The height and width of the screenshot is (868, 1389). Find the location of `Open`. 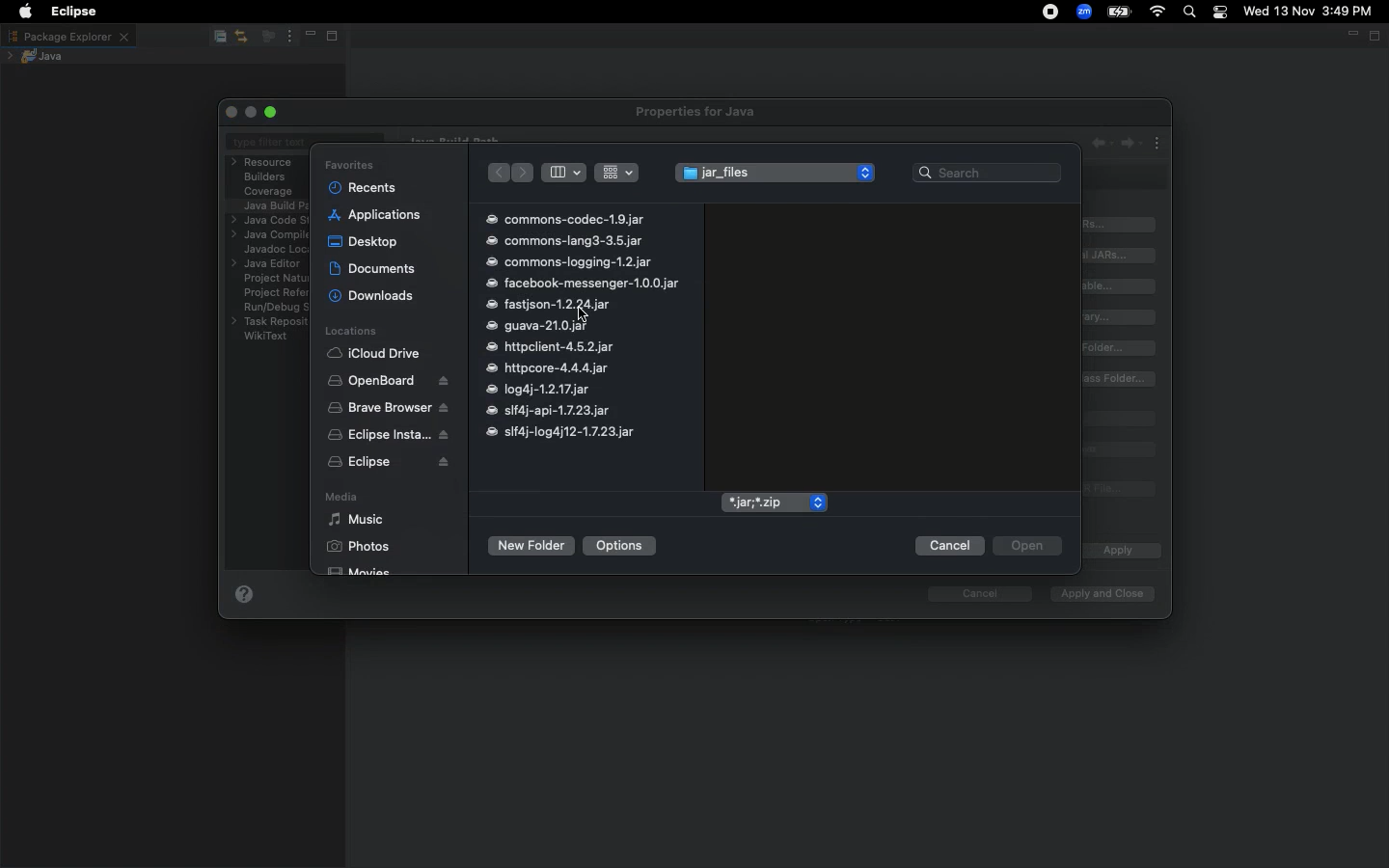

Open is located at coordinates (1026, 547).